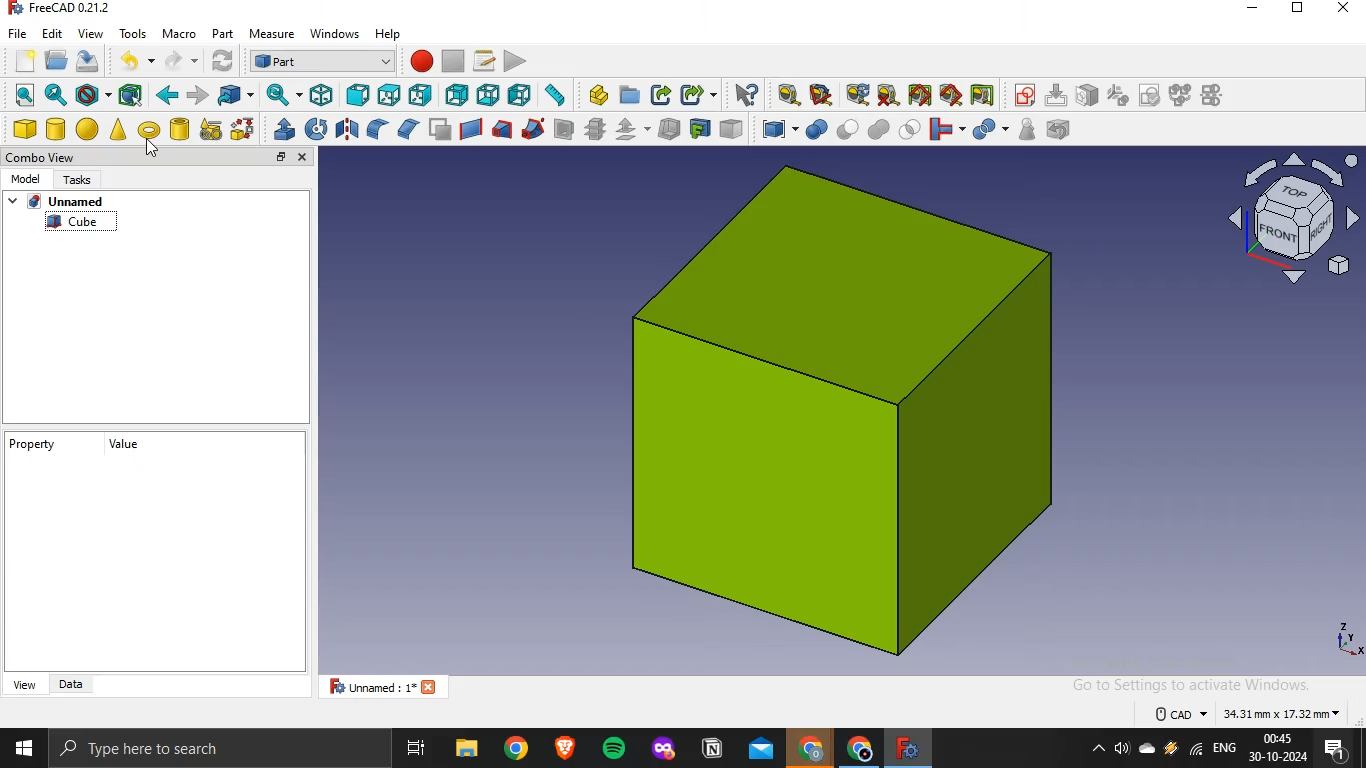 This screenshot has width=1366, height=768. Describe the element at coordinates (1348, 637) in the screenshot. I see `axes icon` at that location.